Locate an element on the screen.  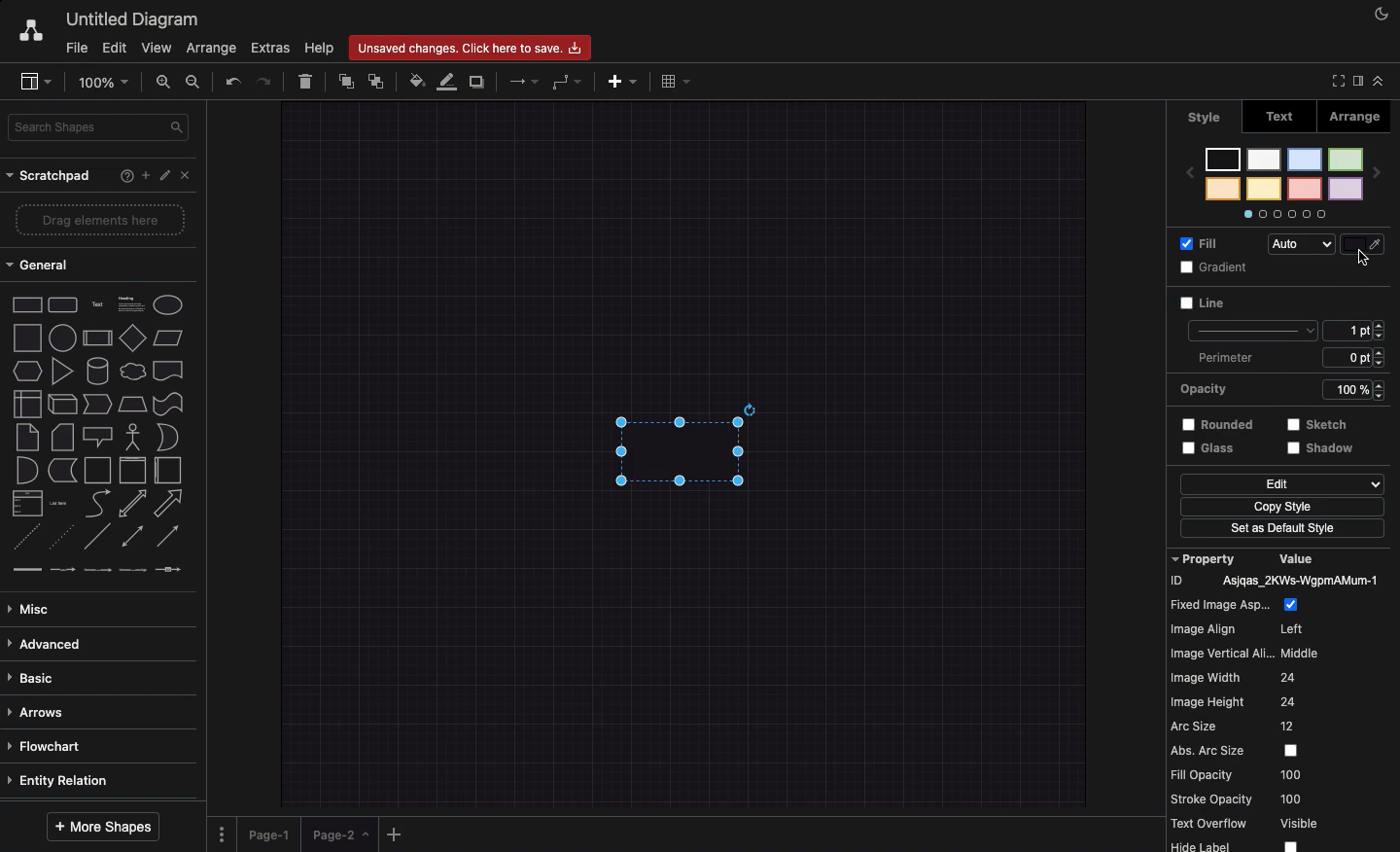
line is located at coordinates (97, 536).